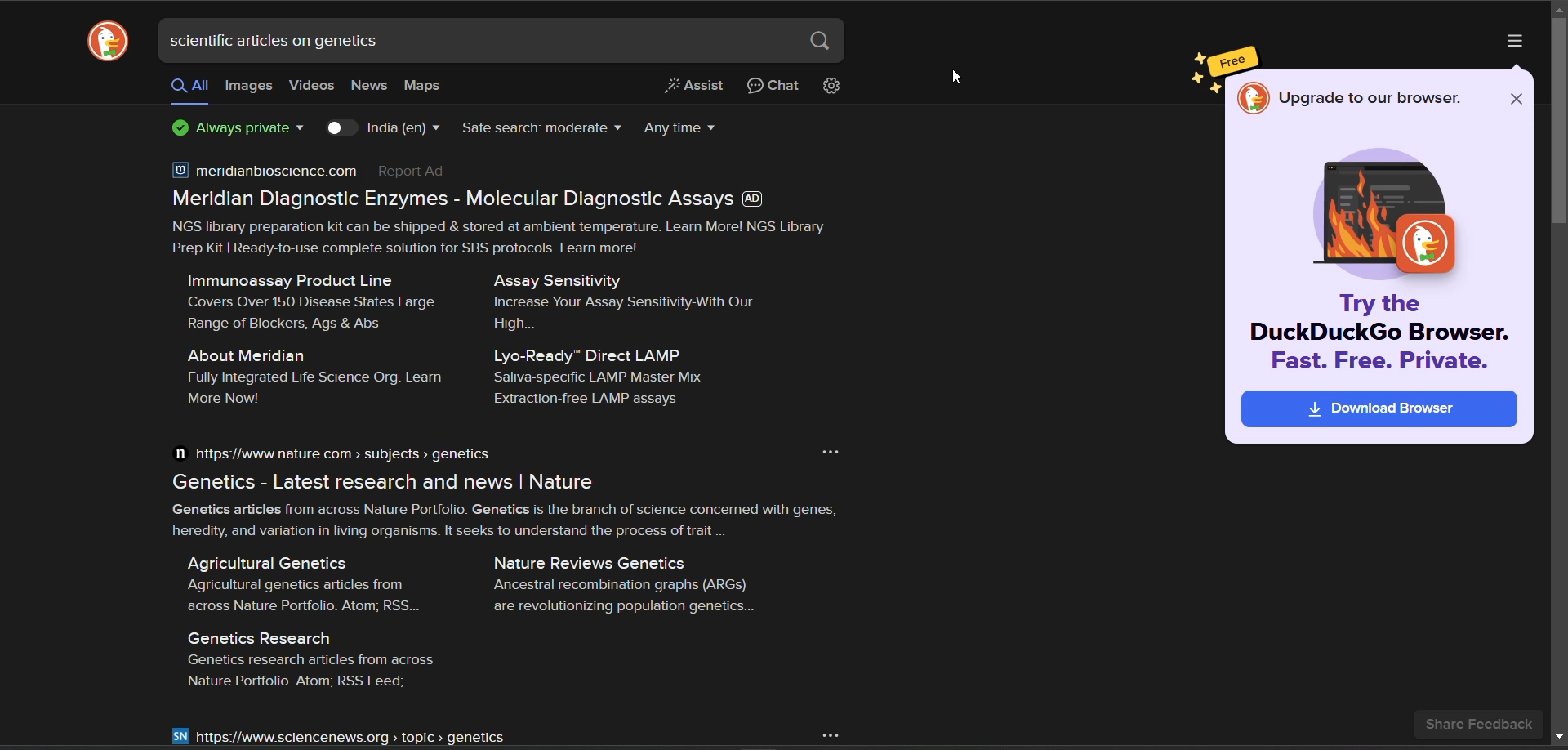 The width and height of the screenshot is (1568, 750). Describe the element at coordinates (366, 87) in the screenshot. I see `news` at that location.